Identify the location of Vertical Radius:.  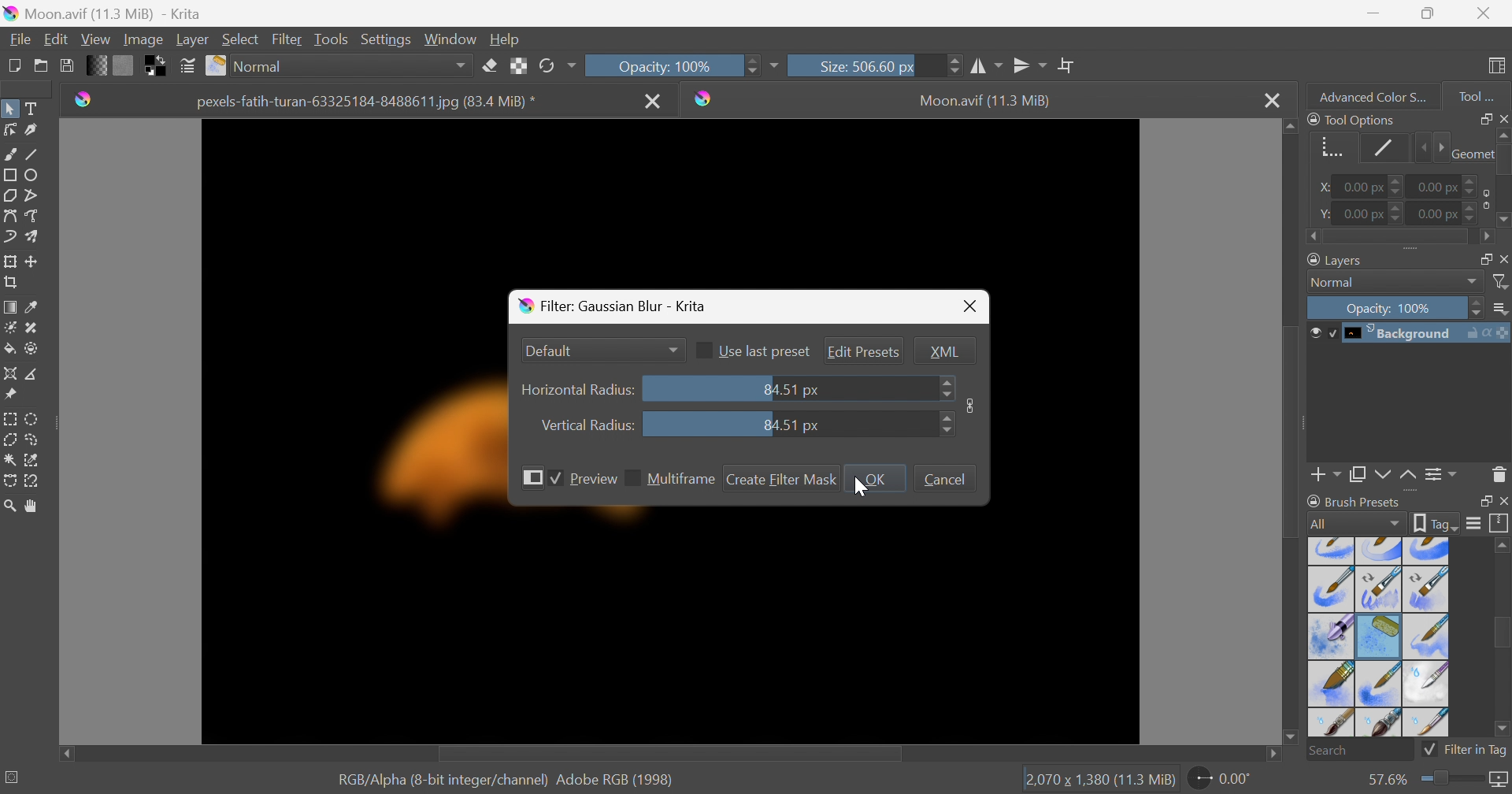
(587, 424).